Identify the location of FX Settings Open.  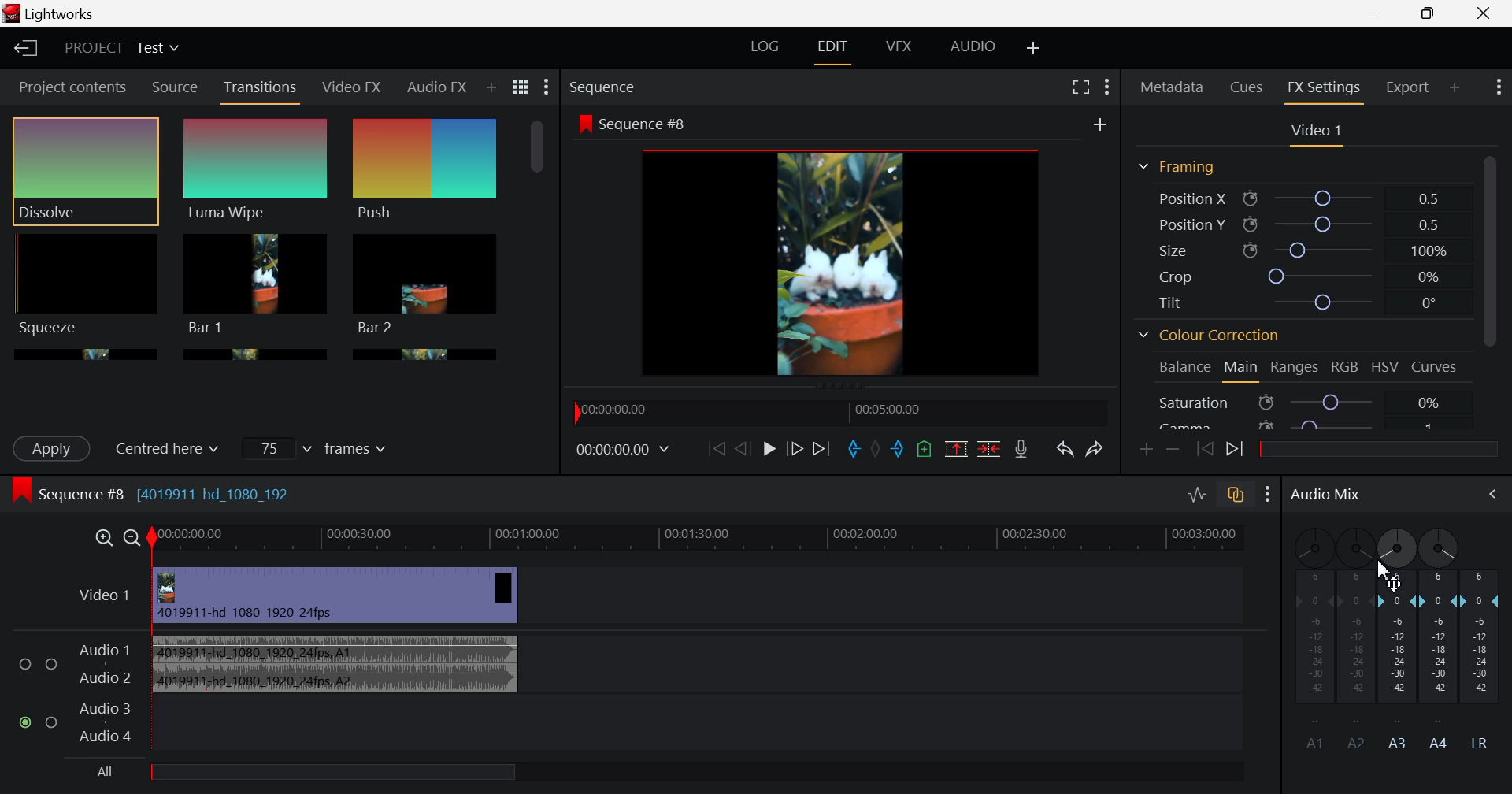
(1326, 90).